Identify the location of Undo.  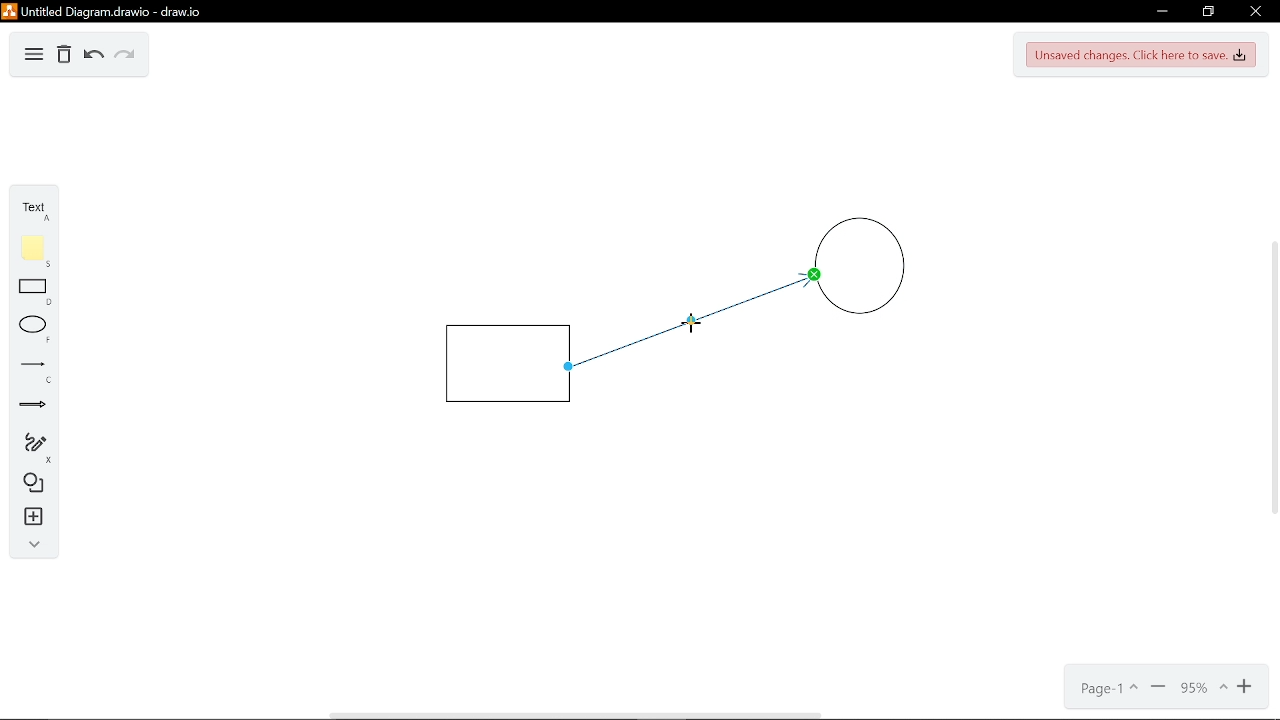
(92, 56).